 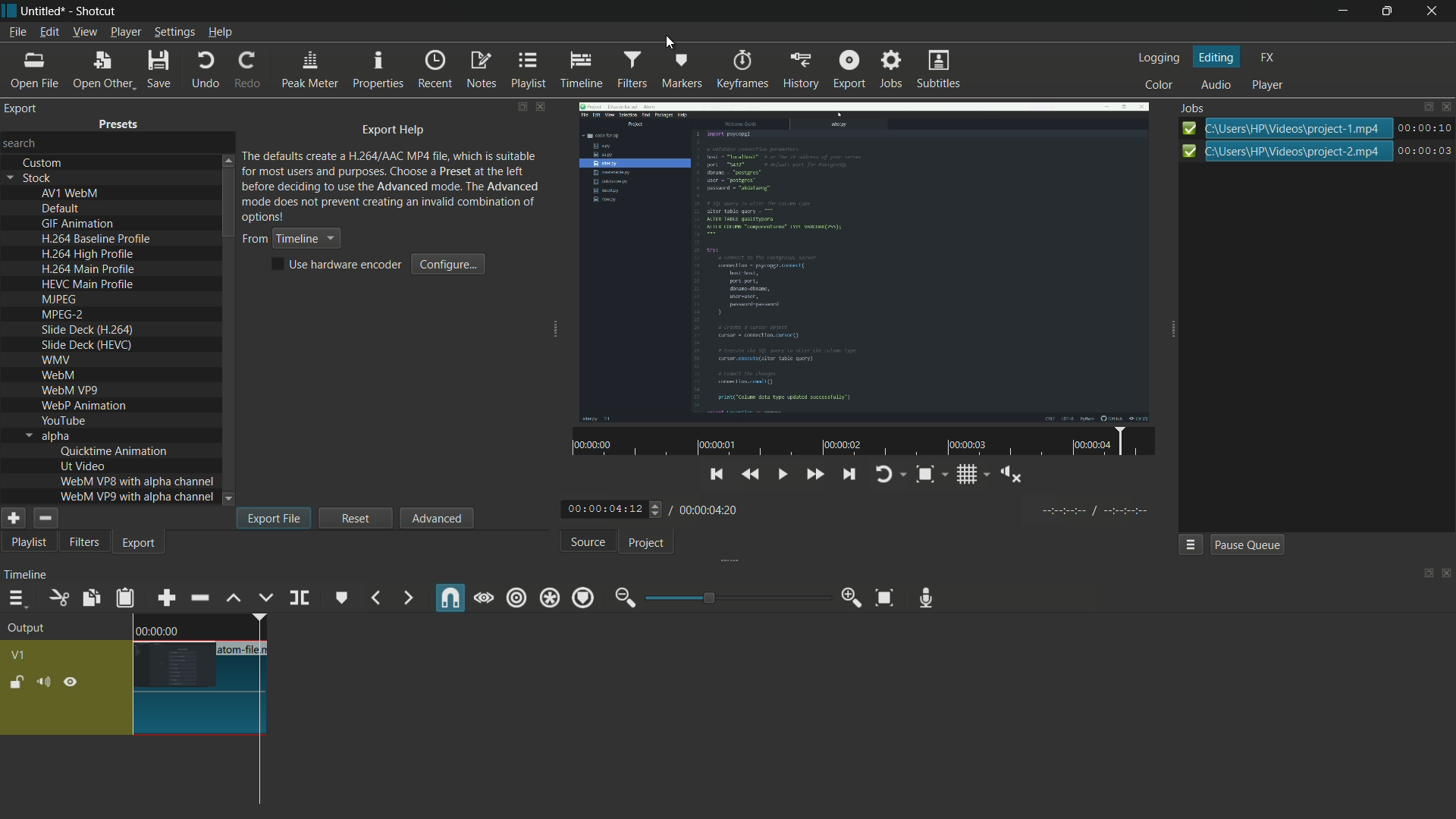 I want to click on help menu, so click(x=221, y=33).